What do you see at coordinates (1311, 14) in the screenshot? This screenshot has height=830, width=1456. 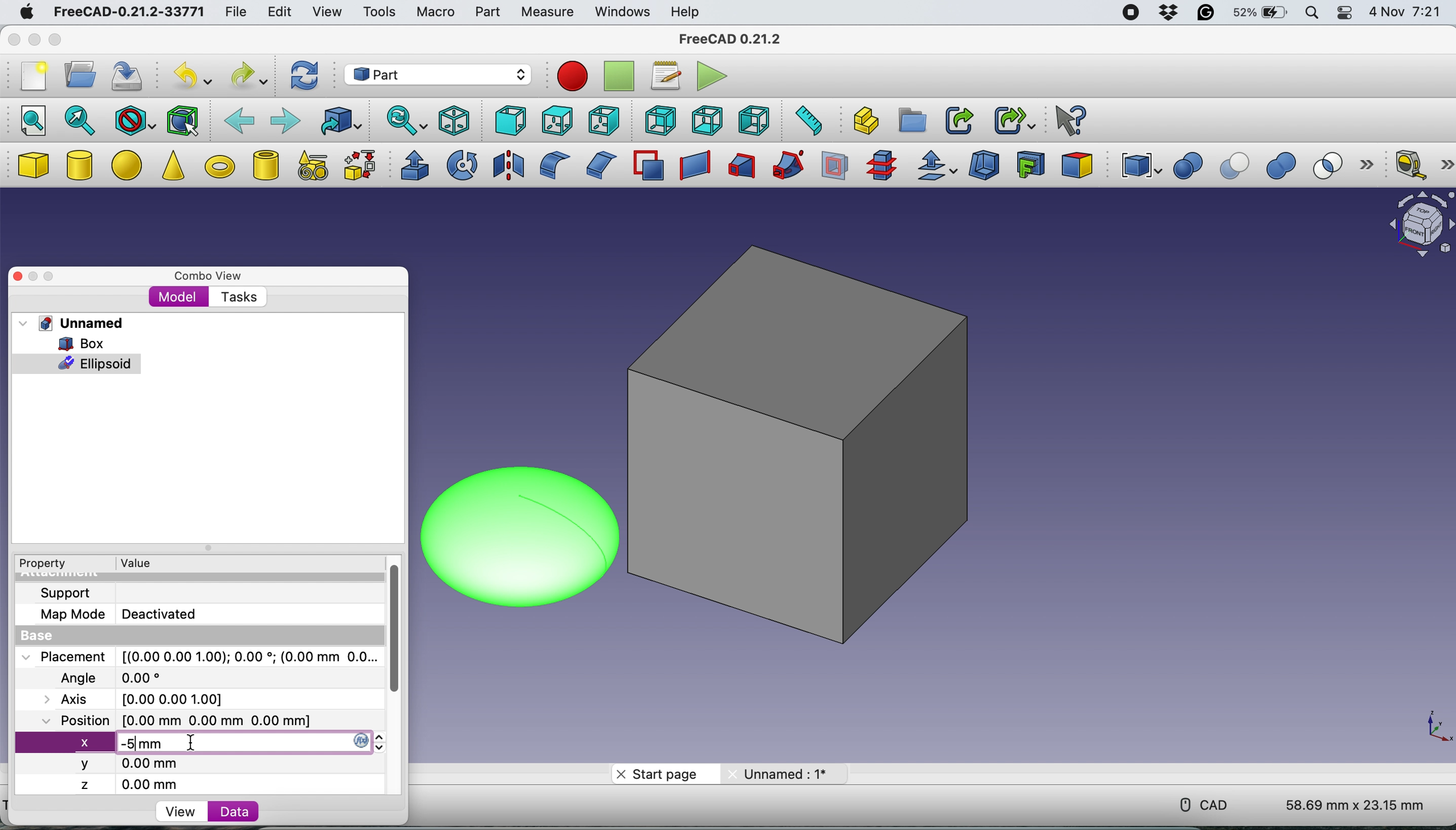 I see `spotlight search` at bounding box center [1311, 14].